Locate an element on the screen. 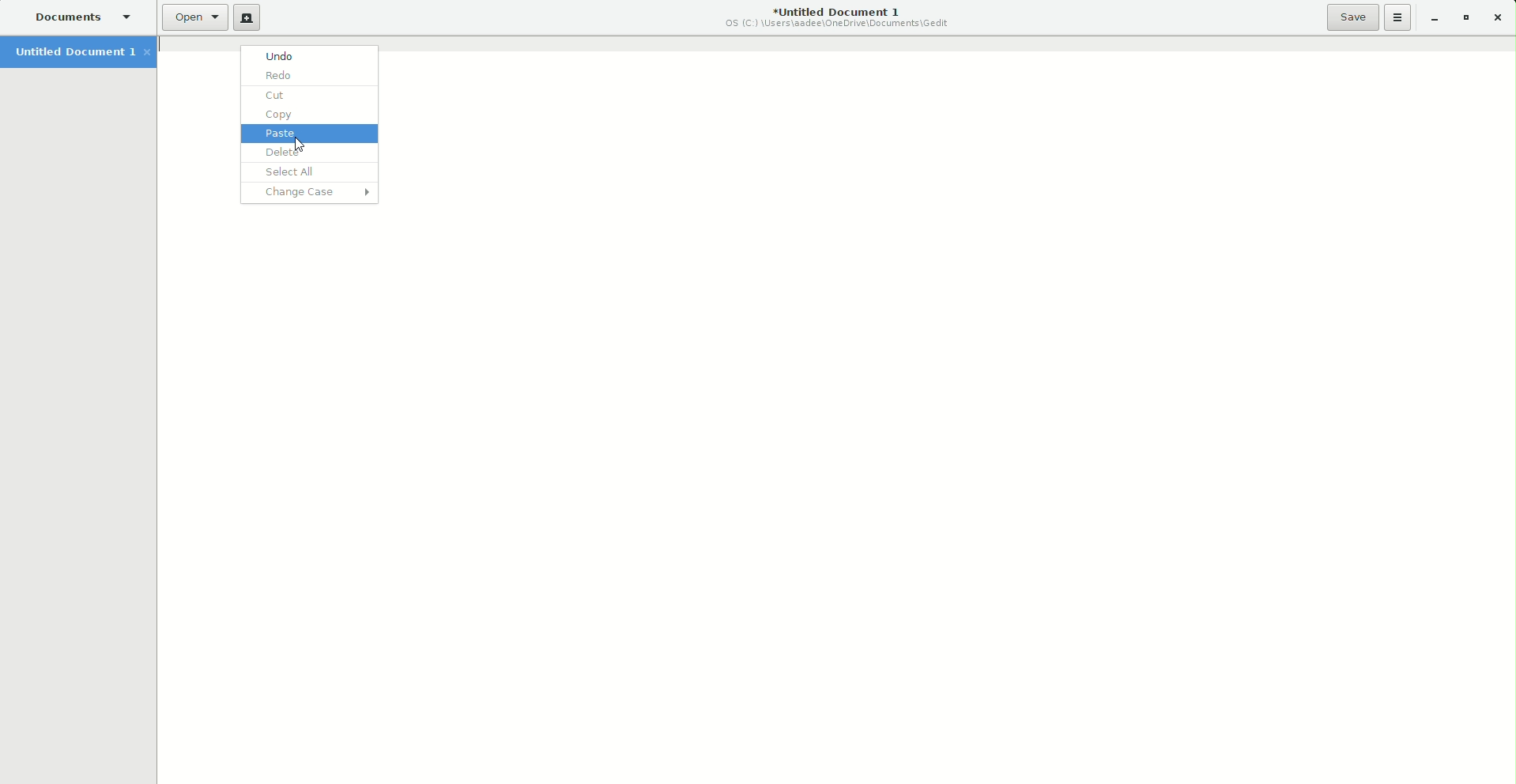 The height and width of the screenshot is (784, 1516). Options is located at coordinates (1398, 17).